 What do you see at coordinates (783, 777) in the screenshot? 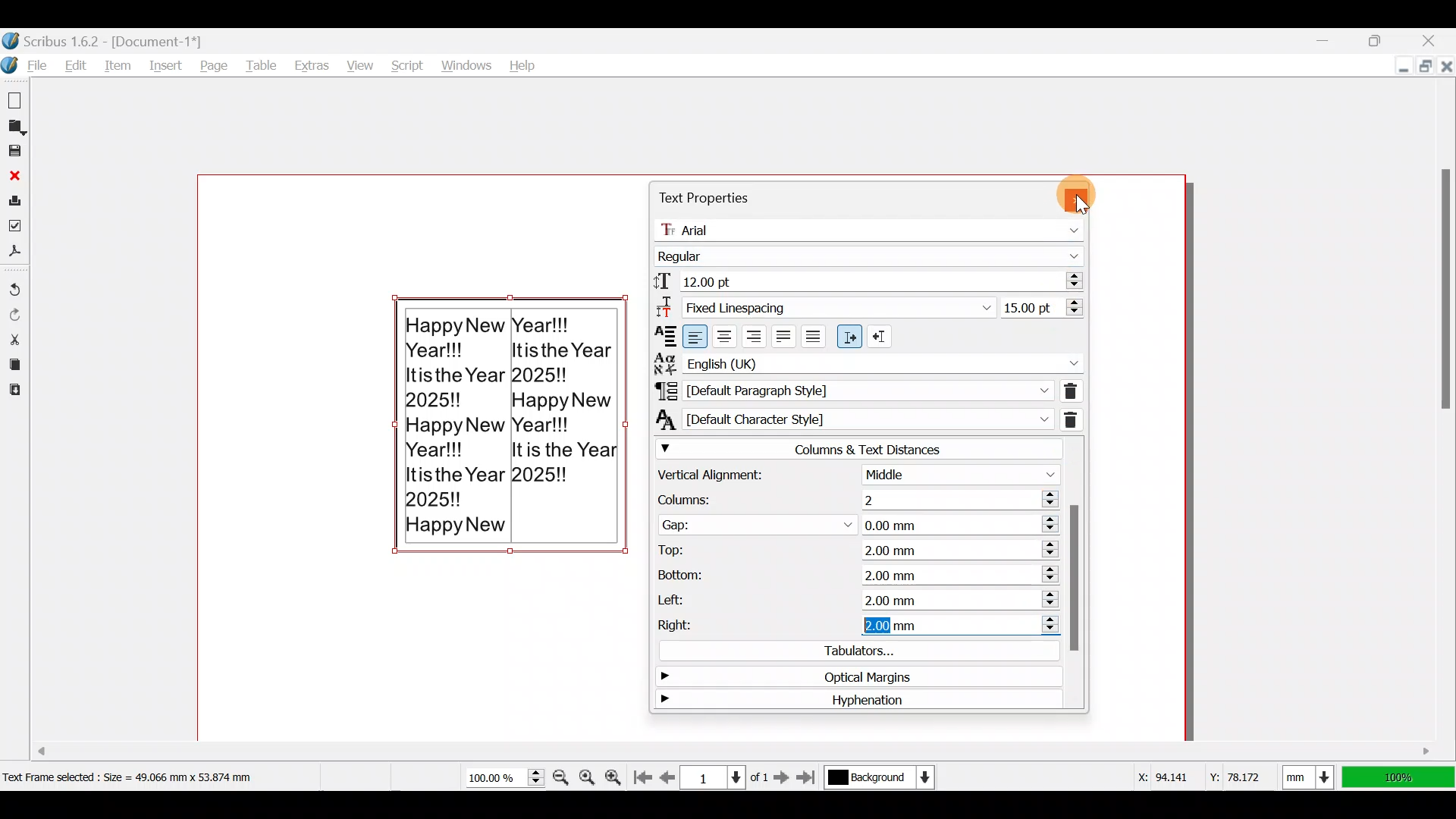
I see `Go to the next page` at bounding box center [783, 777].